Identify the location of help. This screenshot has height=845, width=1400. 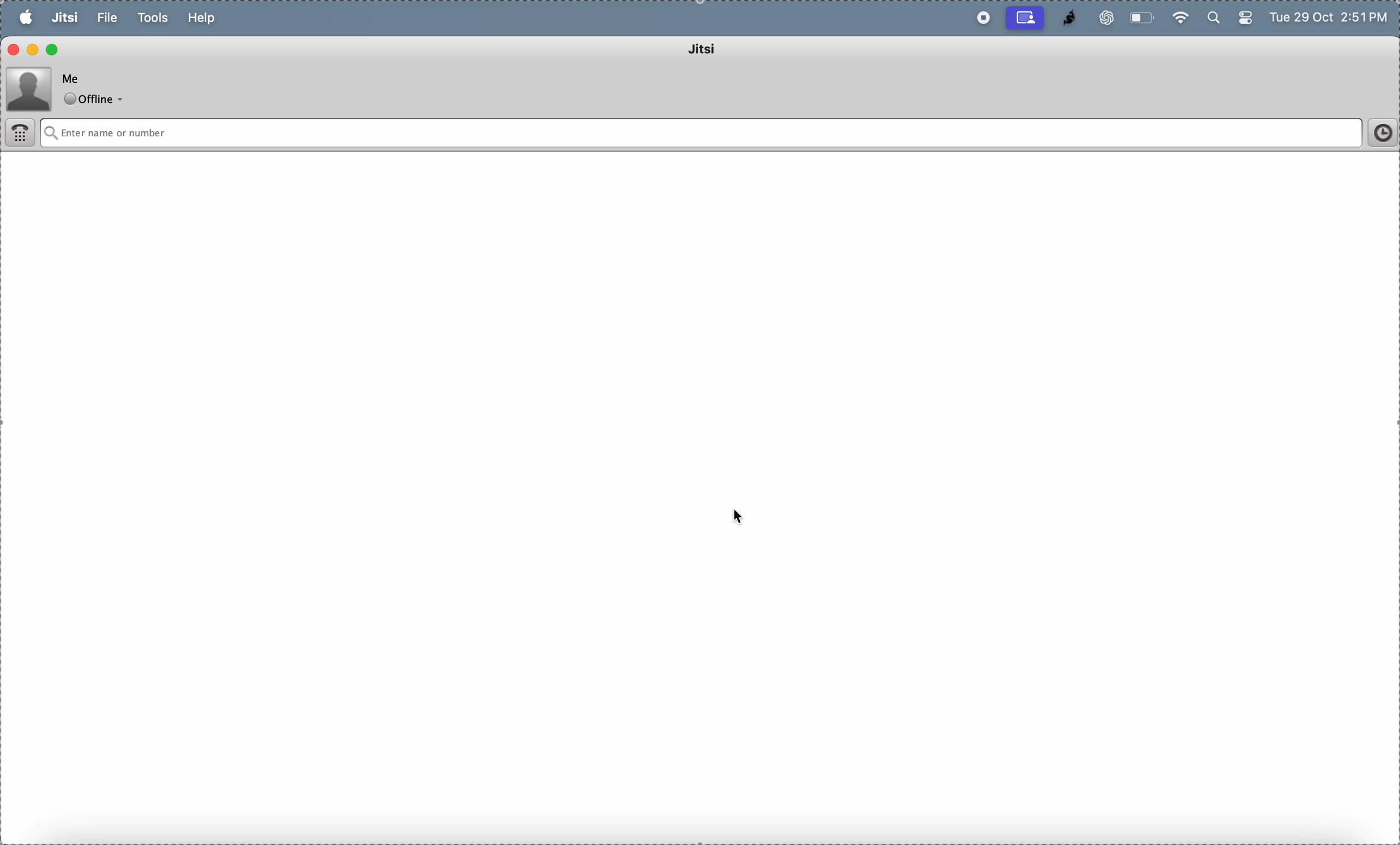
(205, 18).